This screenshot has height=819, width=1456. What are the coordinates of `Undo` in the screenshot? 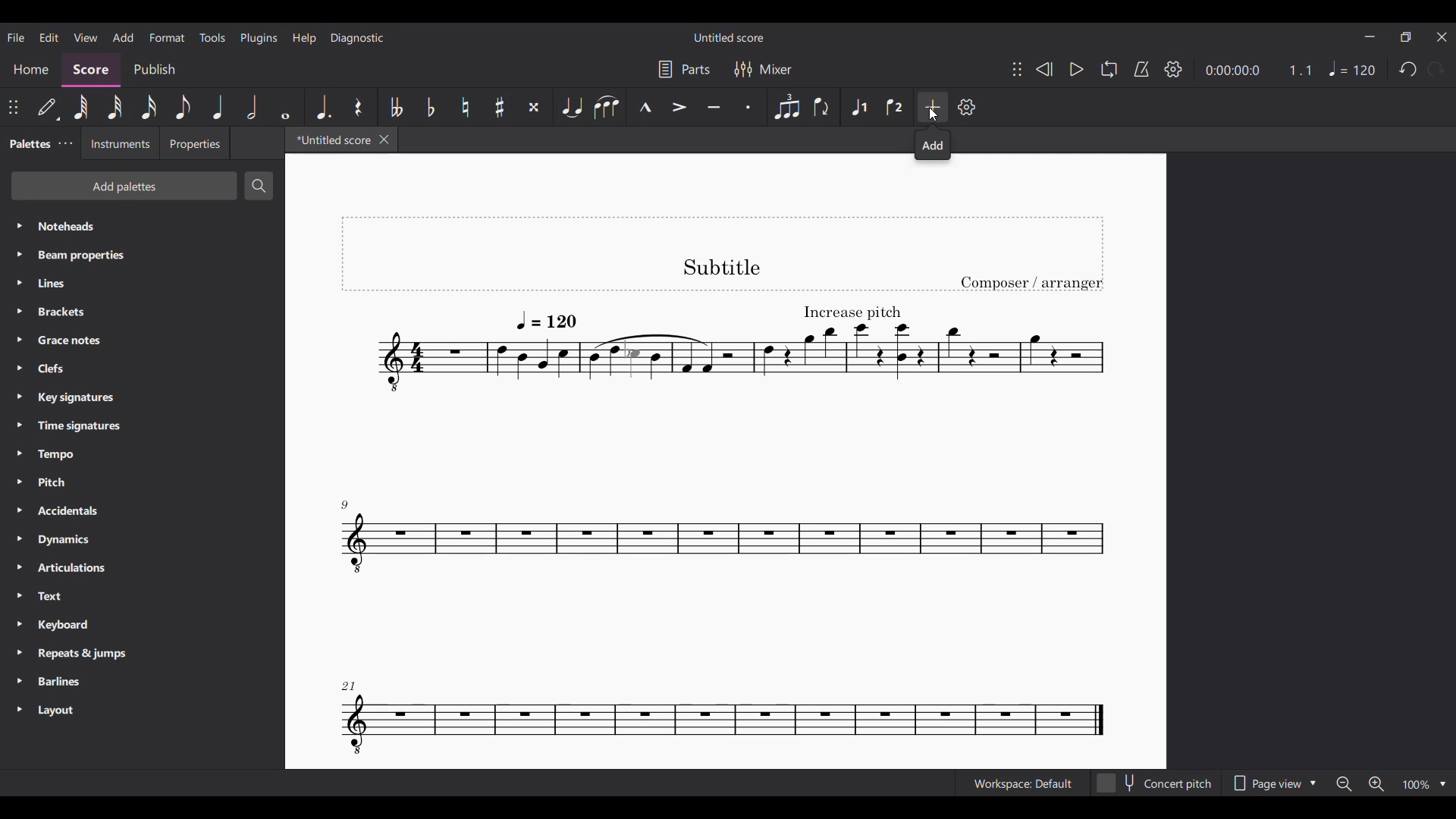 It's located at (1408, 70).